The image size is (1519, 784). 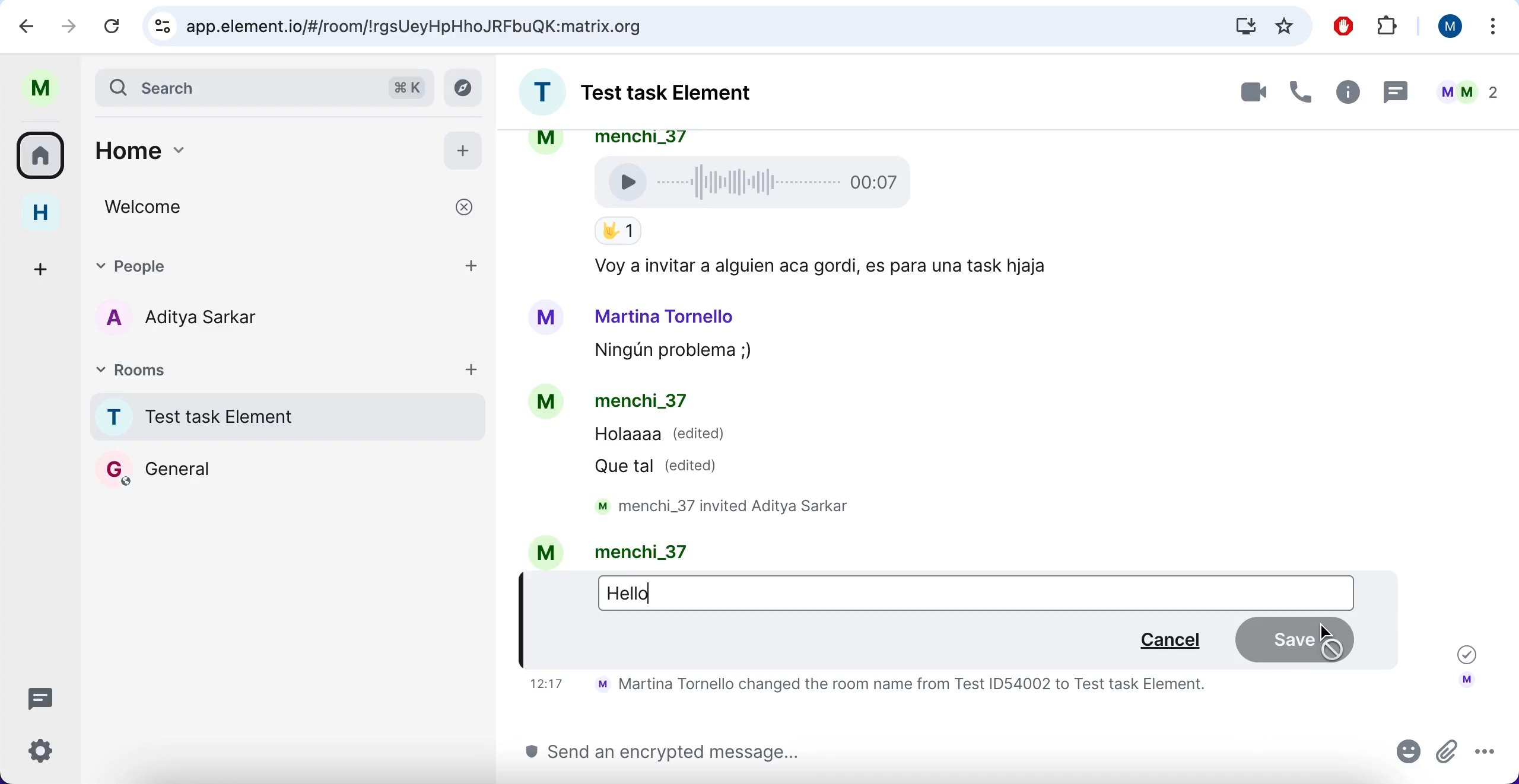 What do you see at coordinates (1006, 347) in the screenshot?
I see `chat` at bounding box center [1006, 347].